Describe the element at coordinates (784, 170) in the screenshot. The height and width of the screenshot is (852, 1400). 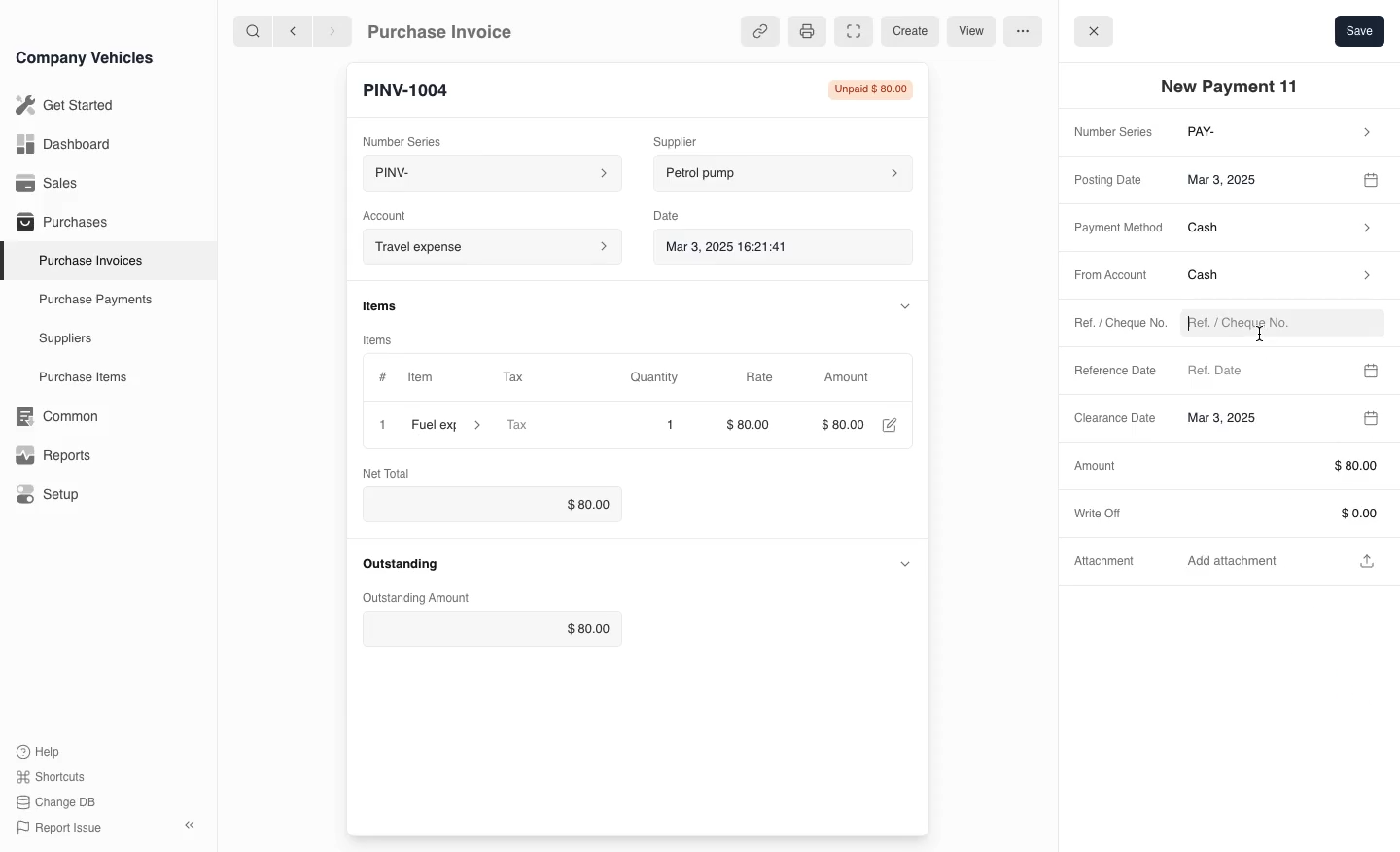
I see `petrol pump` at that location.